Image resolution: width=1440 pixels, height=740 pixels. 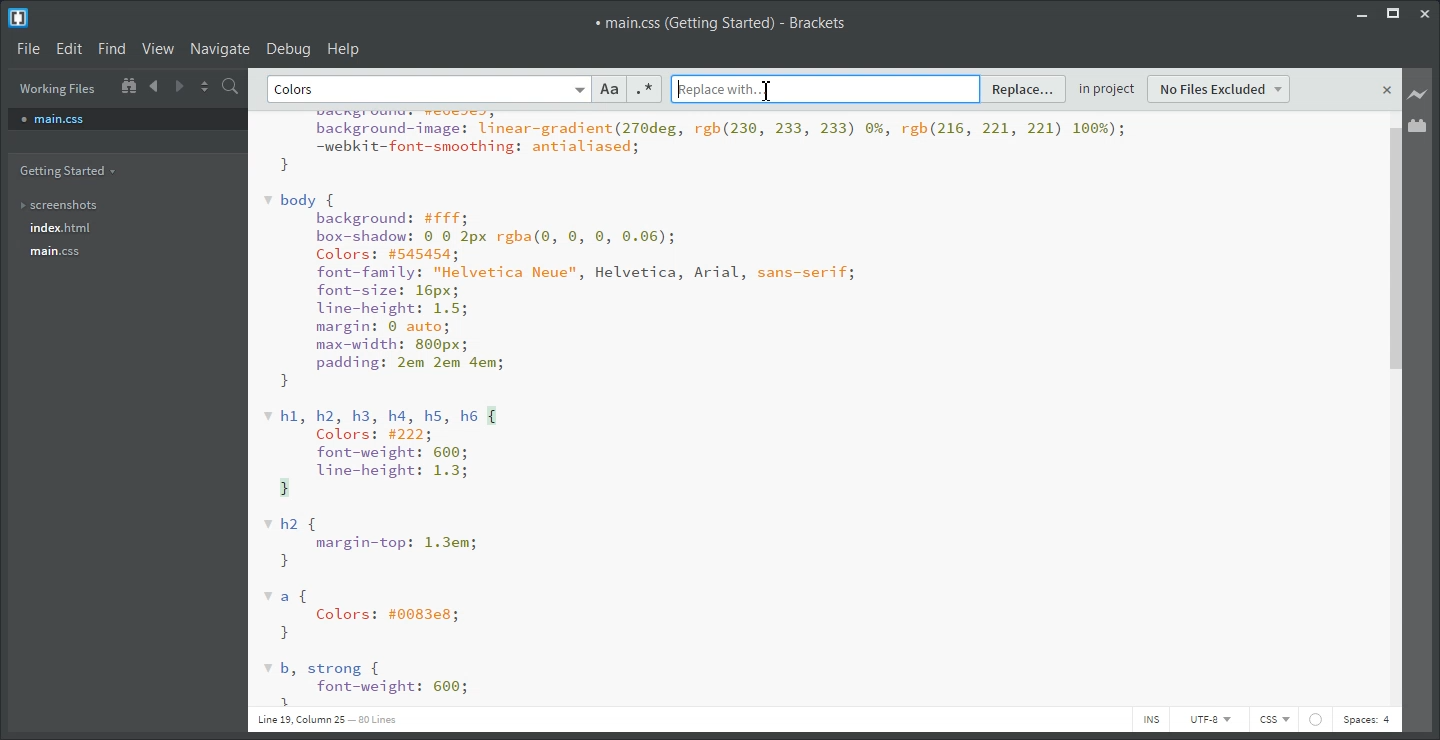 What do you see at coordinates (382, 451) in the screenshot?
I see `hl, h2, h3, h4, hs, he {
Colors: #222;
font-weight: 600;
Uine-height: 1.3;

3}` at bounding box center [382, 451].